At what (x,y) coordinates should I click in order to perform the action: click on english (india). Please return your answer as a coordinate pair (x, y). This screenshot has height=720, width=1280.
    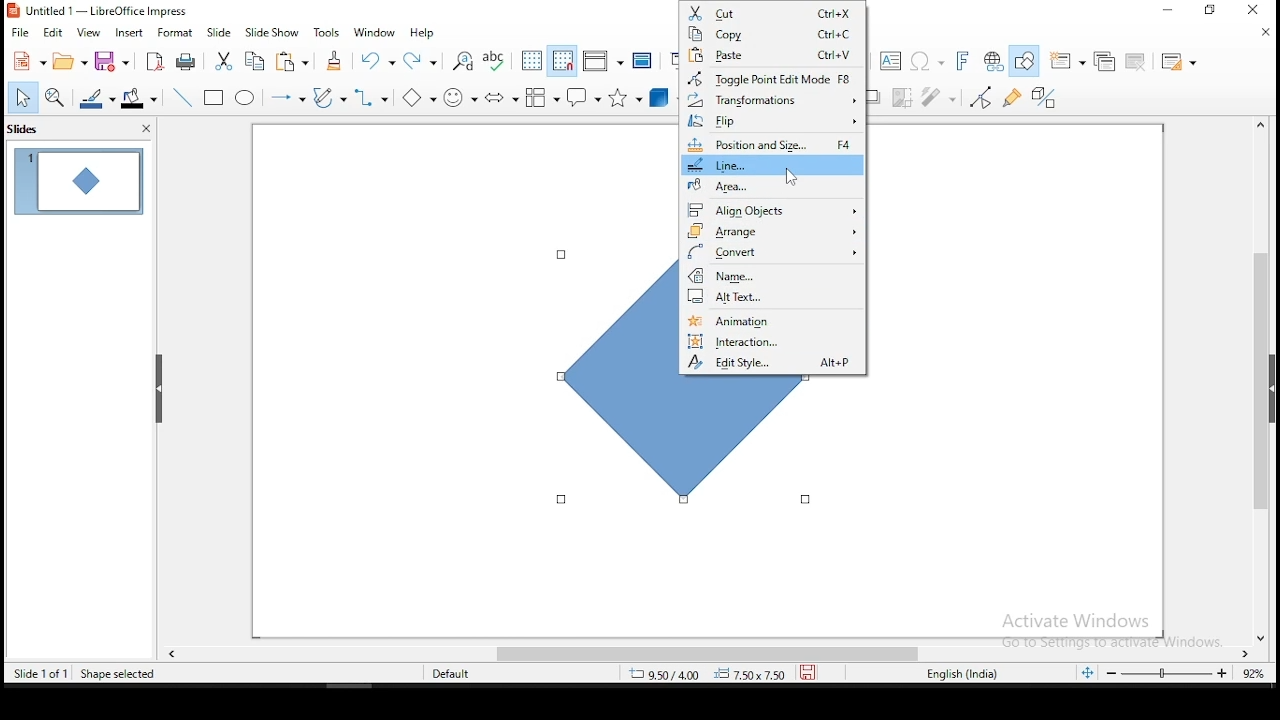
    Looking at the image, I should click on (957, 674).